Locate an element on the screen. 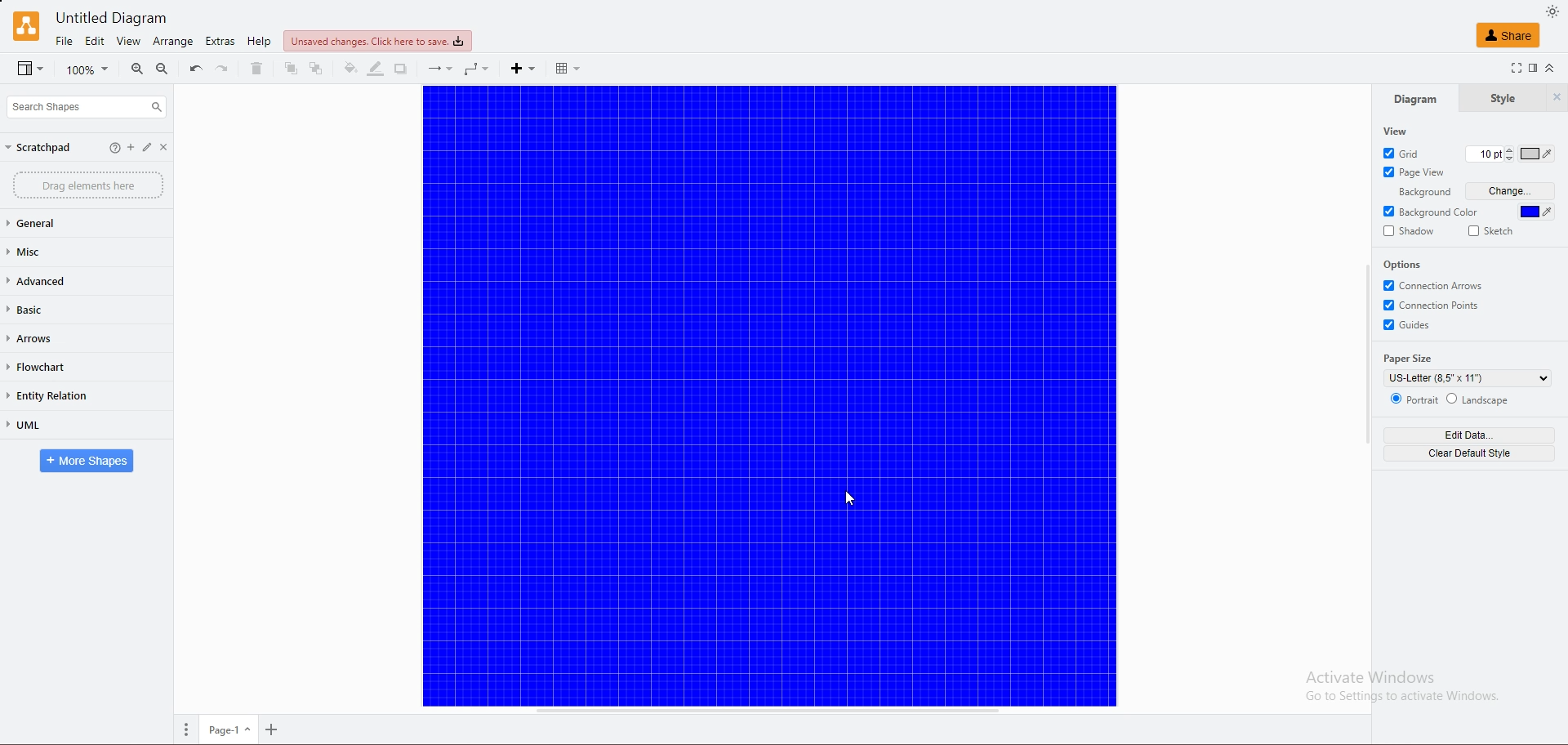 This screenshot has width=1568, height=745. shadow is located at coordinates (1409, 231).